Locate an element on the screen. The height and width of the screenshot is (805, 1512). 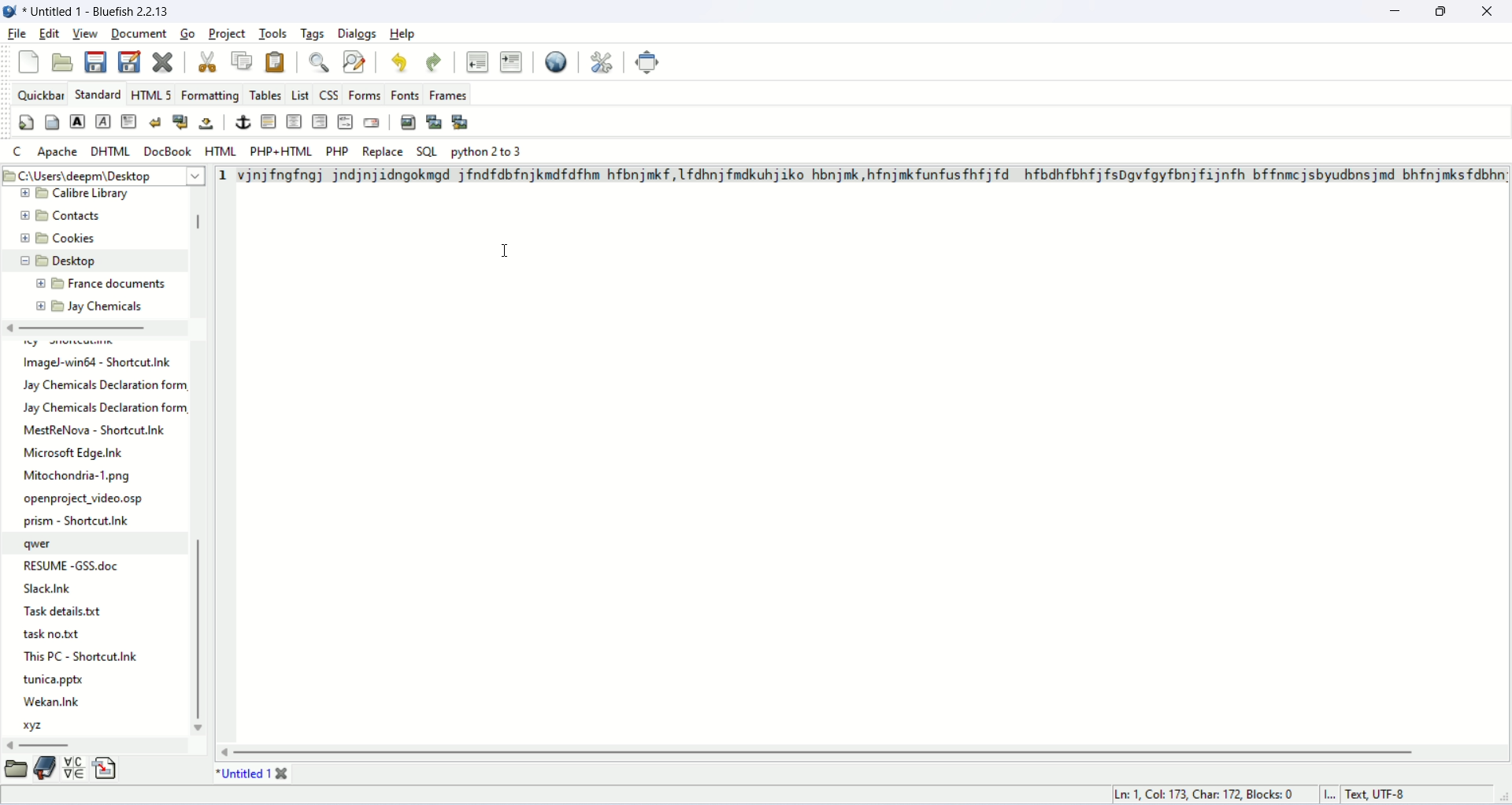
vertical scroll bar is located at coordinates (197, 224).